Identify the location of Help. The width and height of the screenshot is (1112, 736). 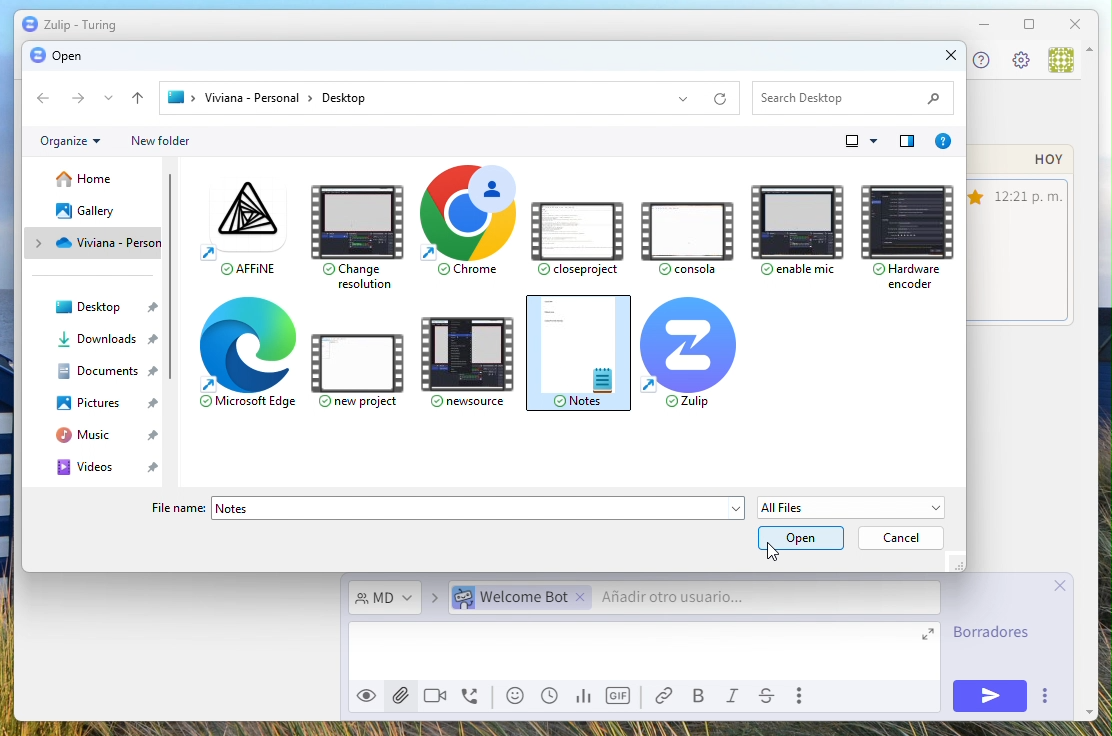
(942, 141).